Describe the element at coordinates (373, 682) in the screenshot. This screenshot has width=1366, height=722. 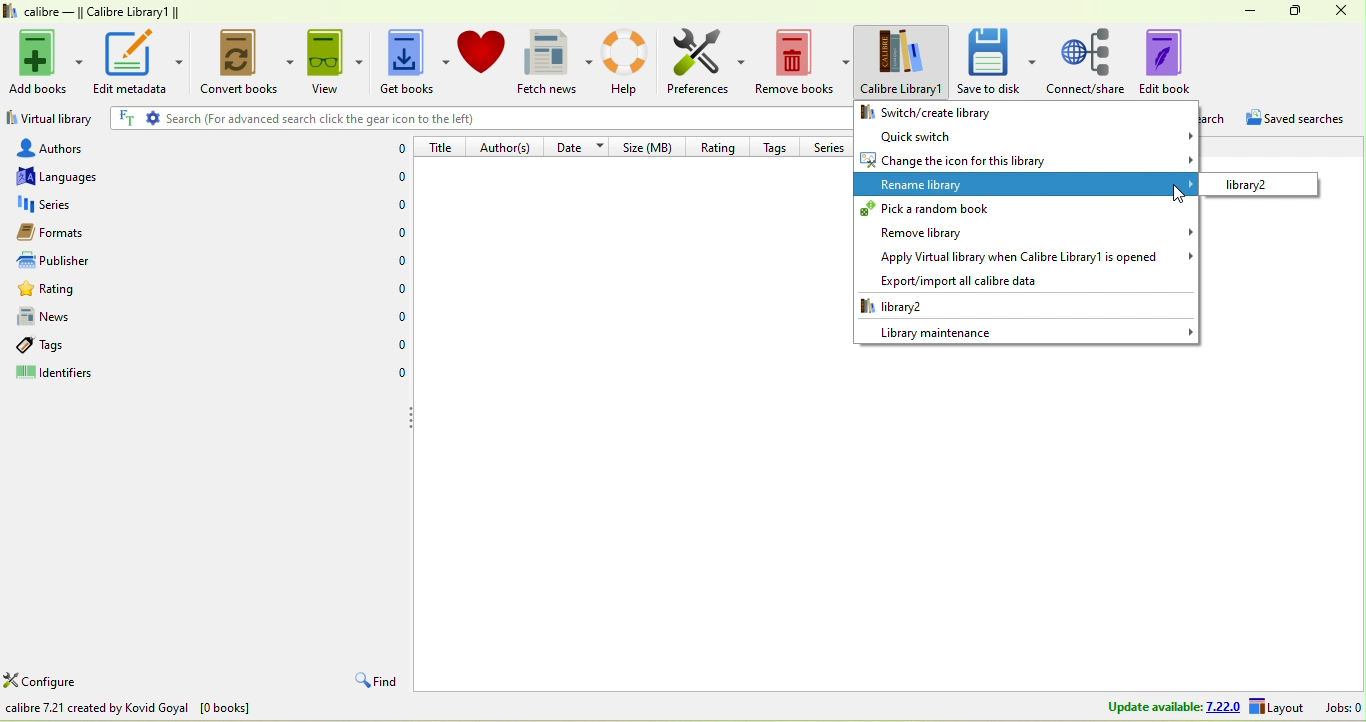
I see `find` at that location.